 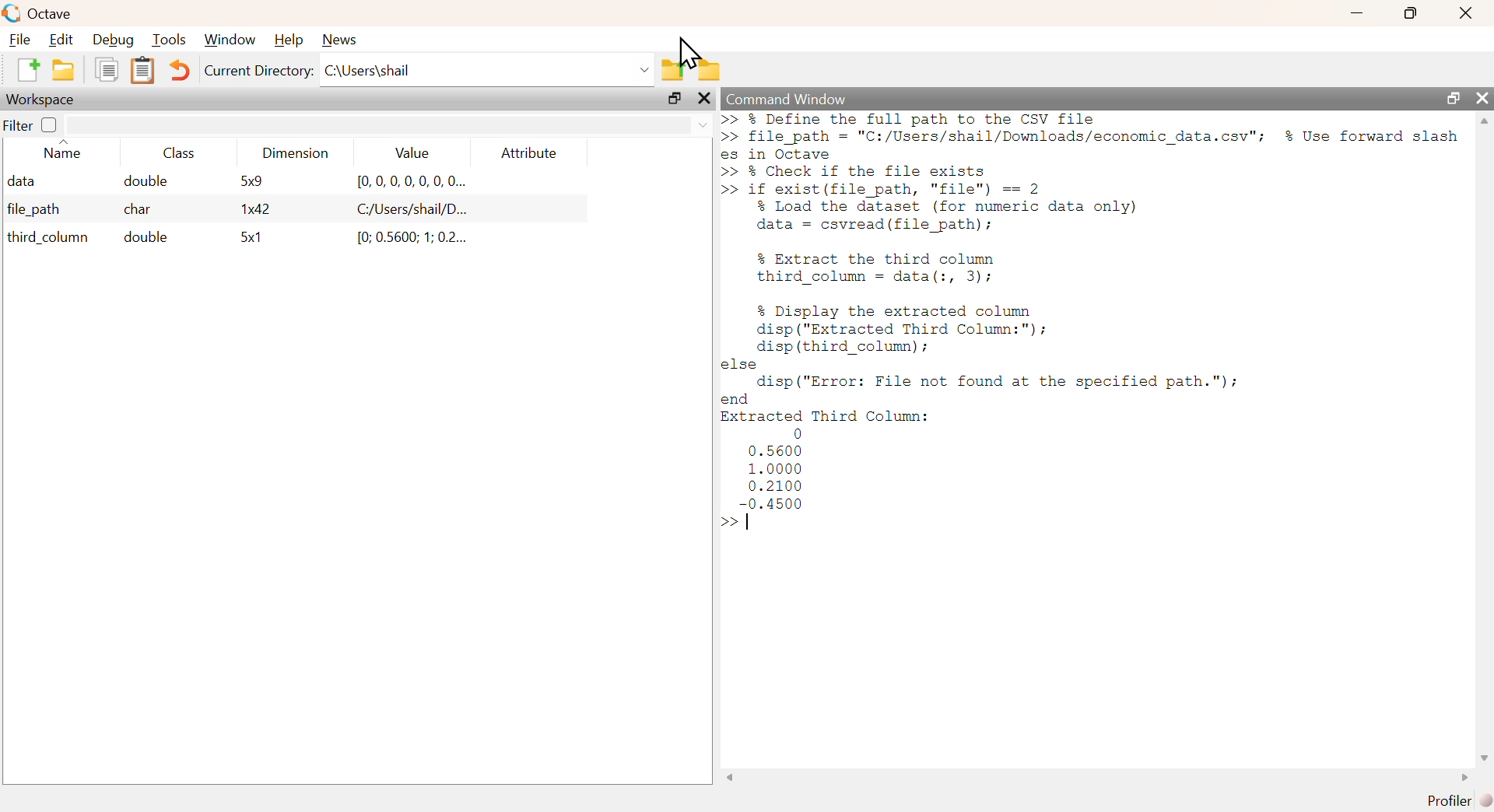 What do you see at coordinates (54, 11) in the screenshot?
I see `octave` at bounding box center [54, 11].